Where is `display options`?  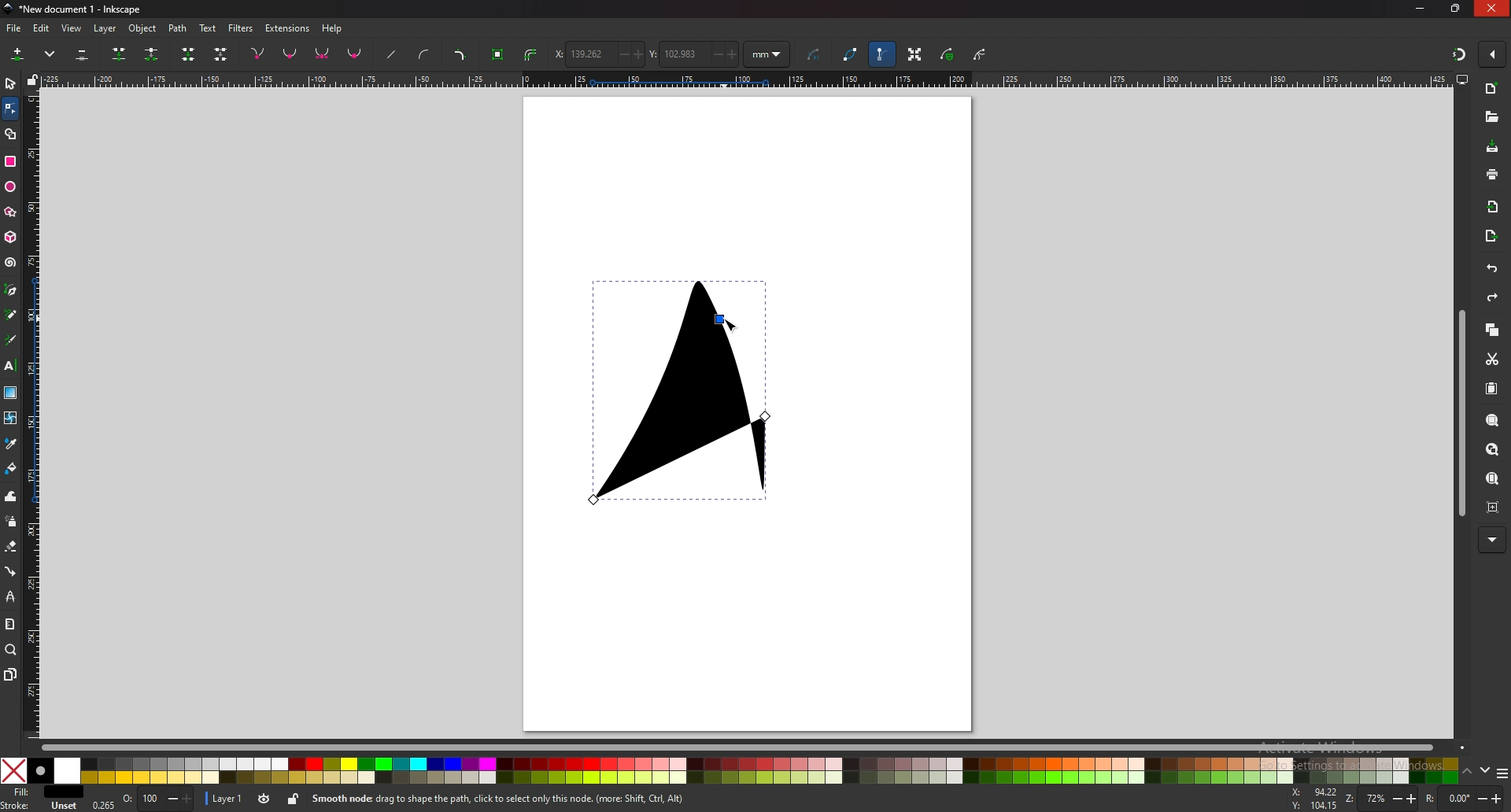
display options is located at coordinates (1463, 79).